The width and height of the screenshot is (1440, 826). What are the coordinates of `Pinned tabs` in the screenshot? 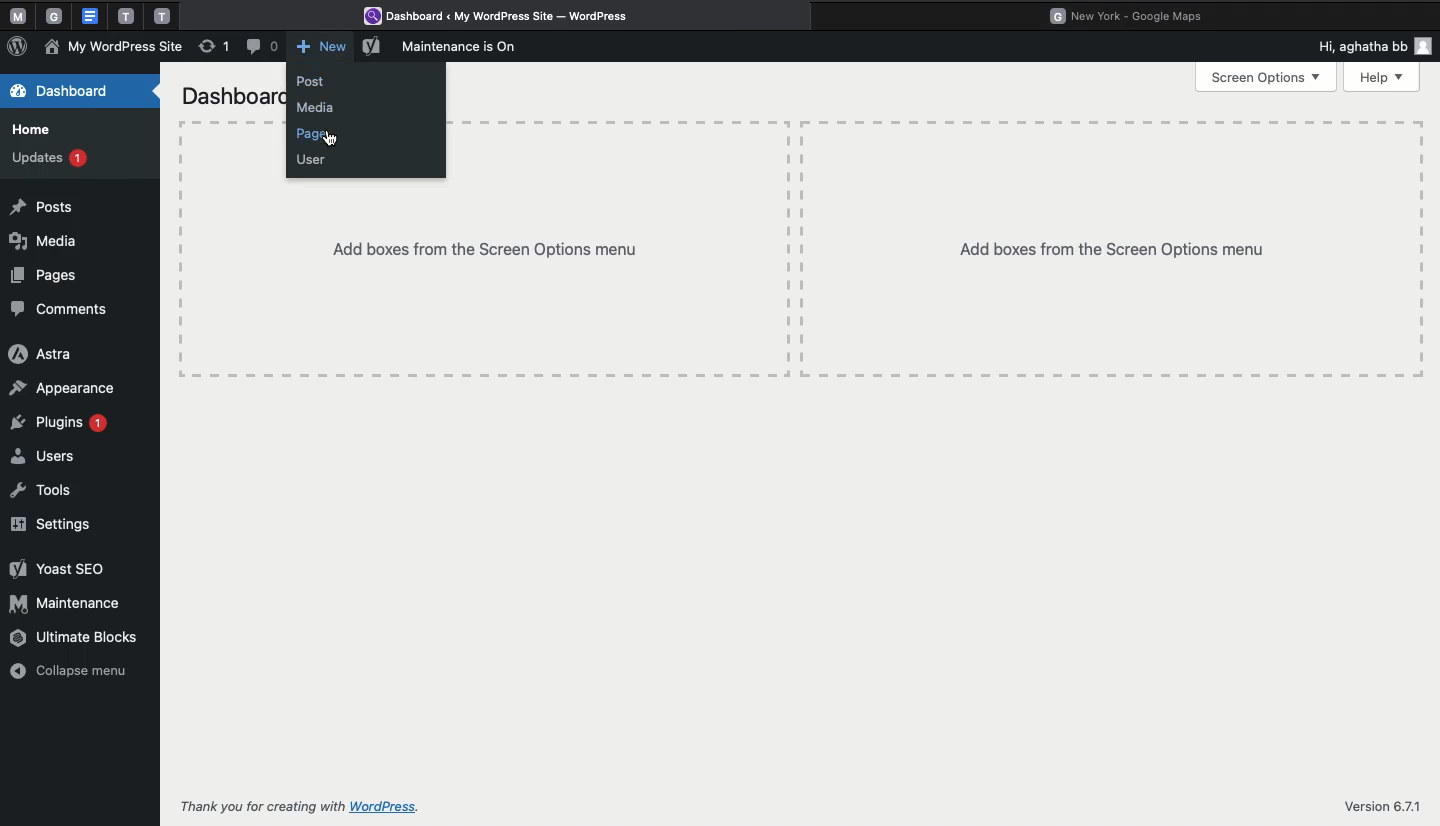 It's located at (15, 17).